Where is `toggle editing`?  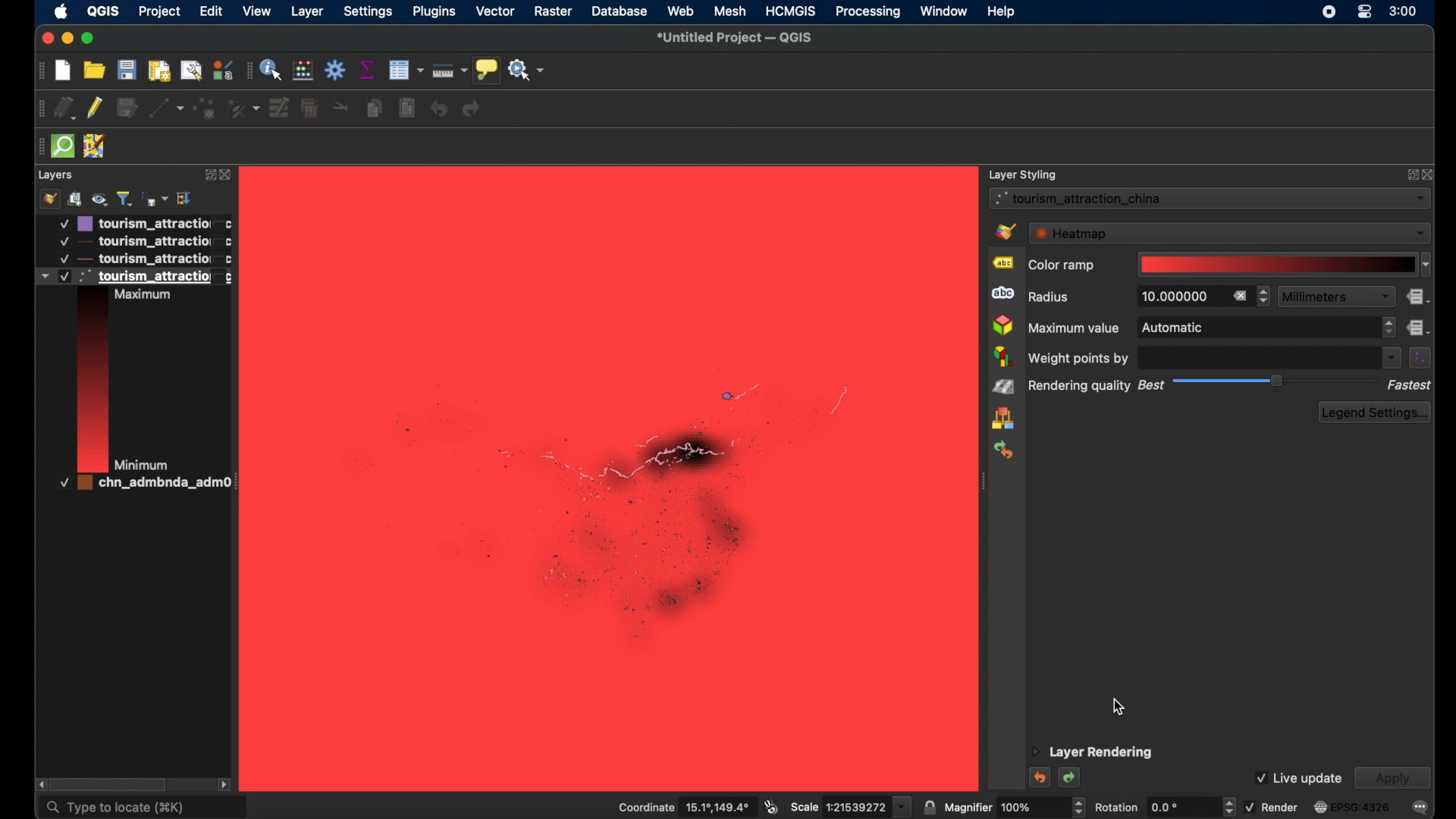
toggle editing is located at coordinates (95, 108).